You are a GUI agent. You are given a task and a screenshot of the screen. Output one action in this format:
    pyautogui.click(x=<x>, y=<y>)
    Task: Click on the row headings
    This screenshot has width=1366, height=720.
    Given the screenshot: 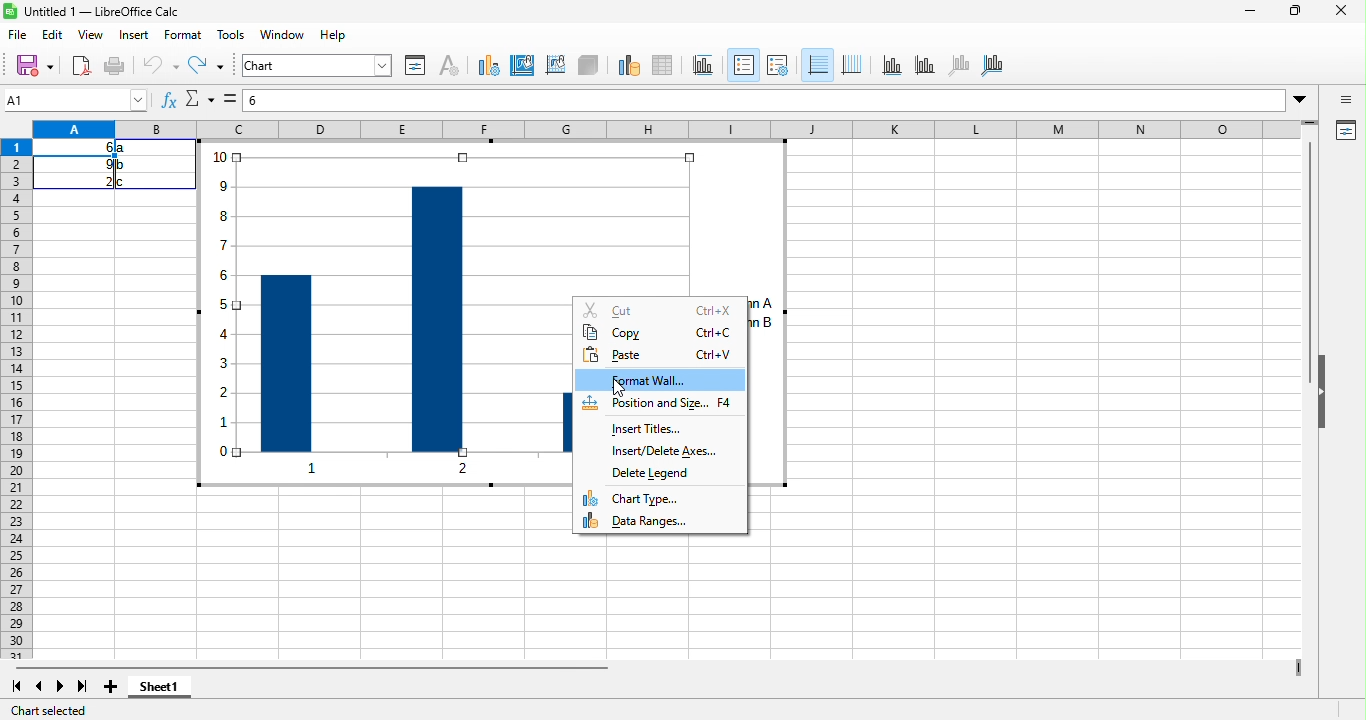 What is the action you would take?
    pyautogui.click(x=20, y=400)
    